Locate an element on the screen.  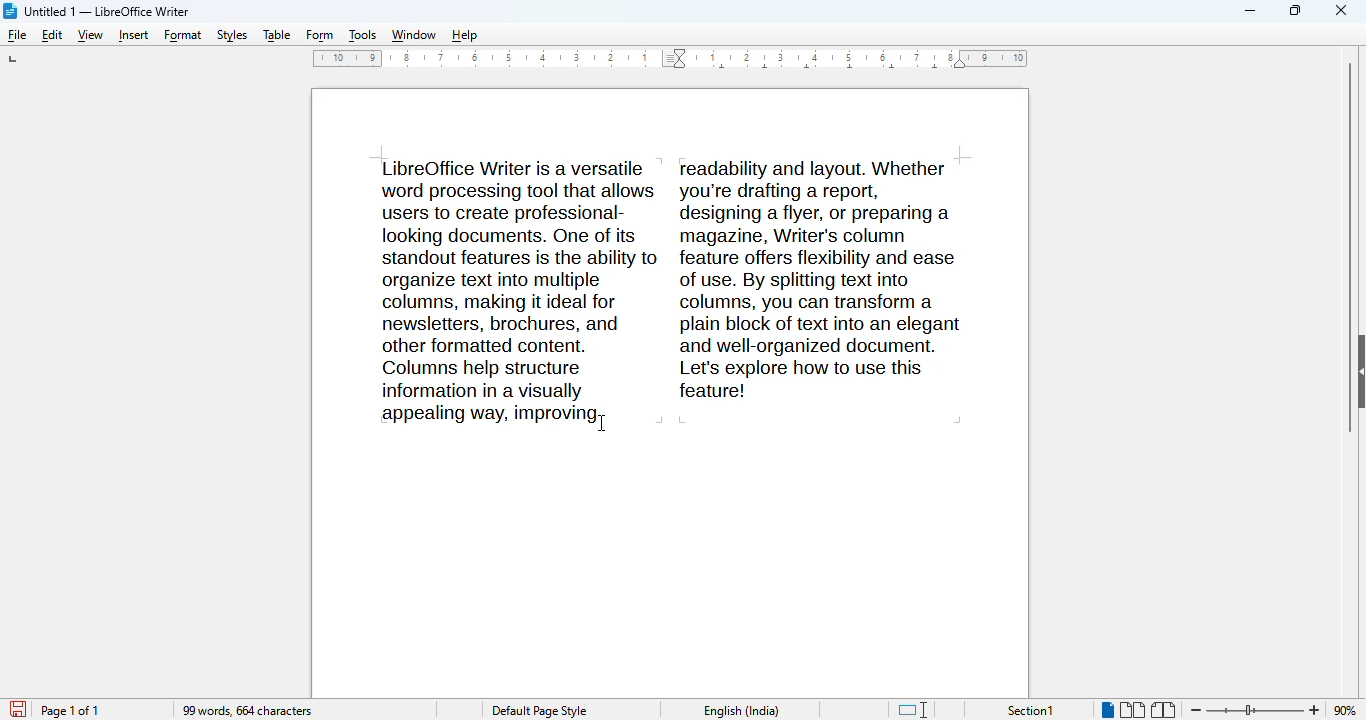
book view is located at coordinates (1163, 710).